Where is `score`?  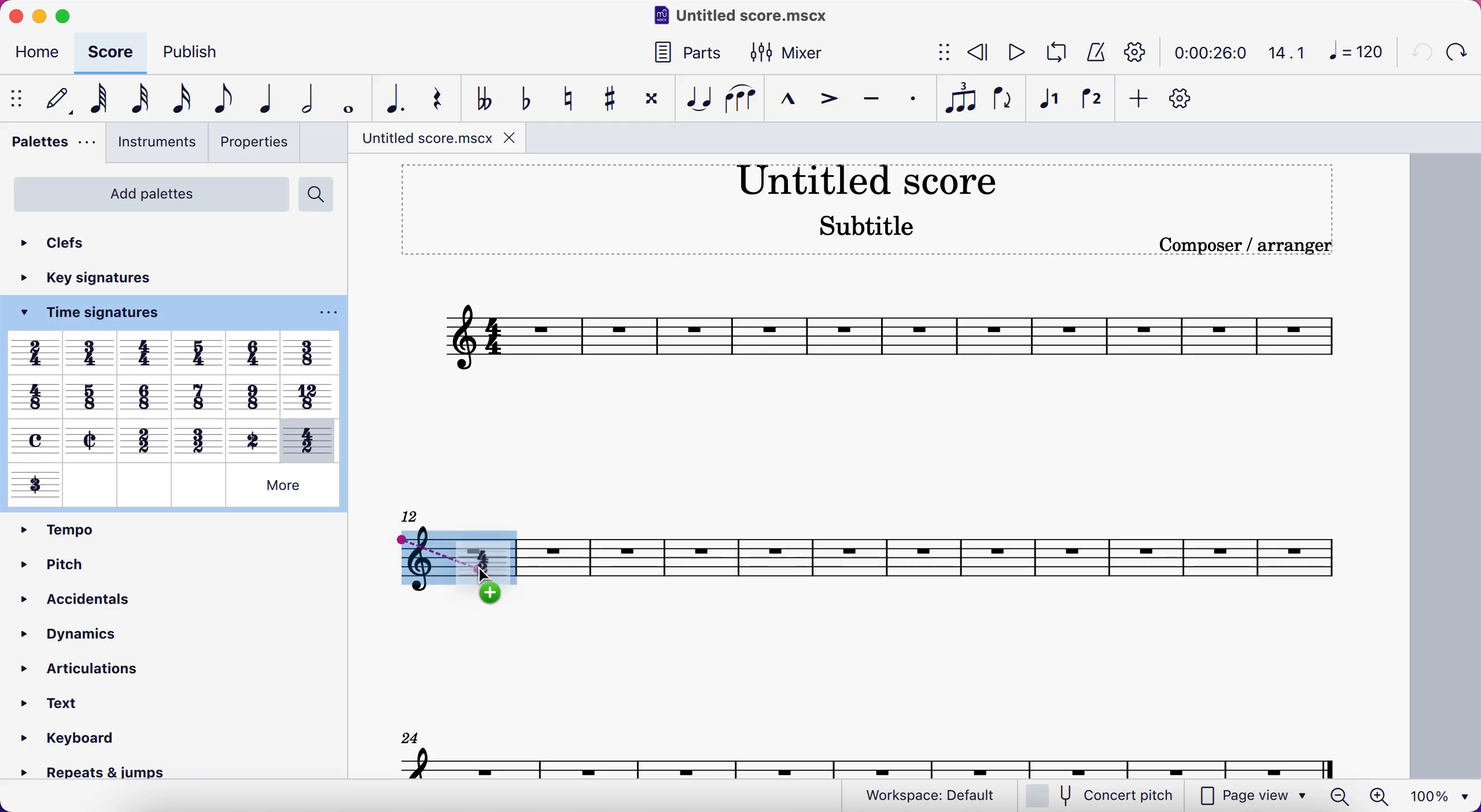 score is located at coordinates (105, 53).